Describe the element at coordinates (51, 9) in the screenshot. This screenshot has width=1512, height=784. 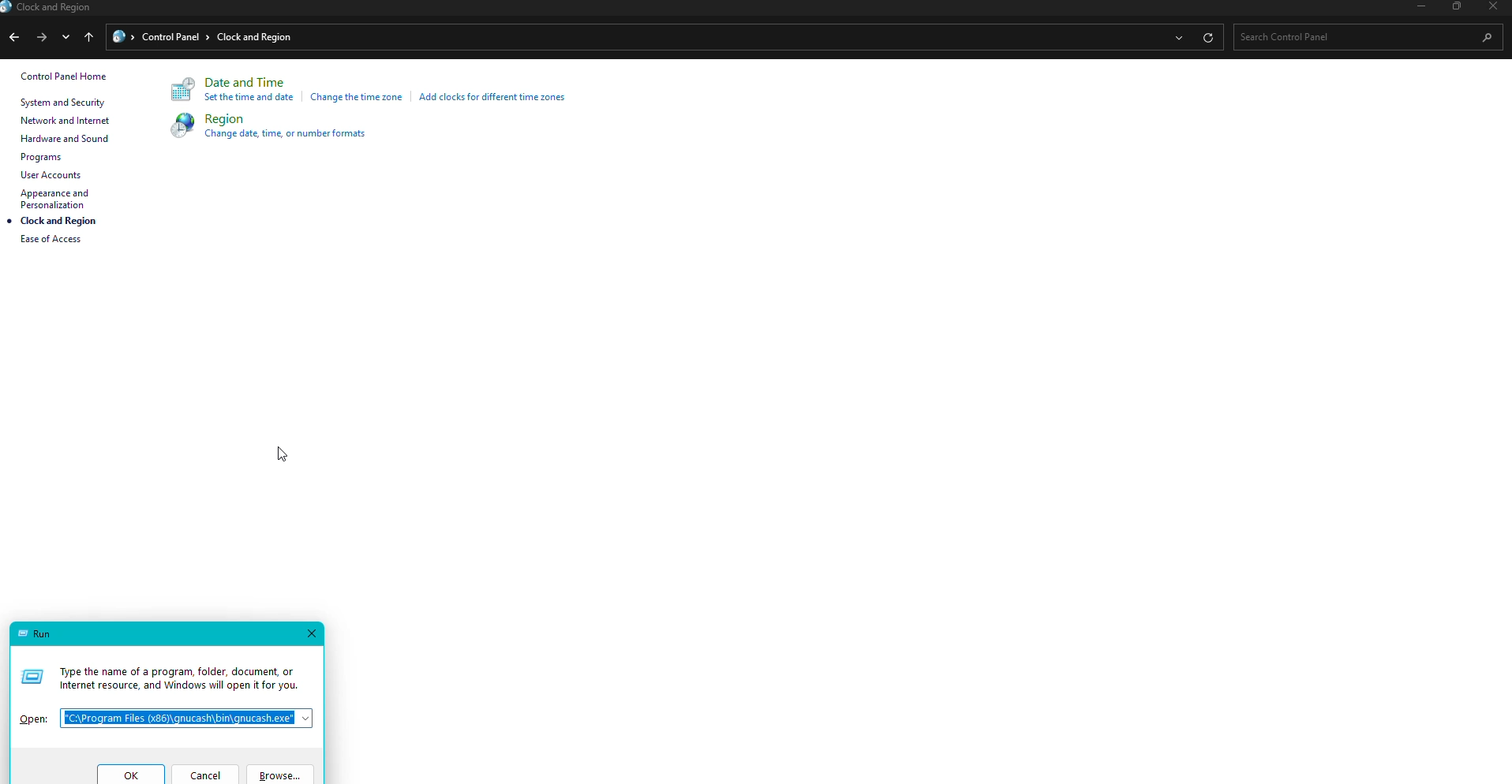
I see `Clock and region` at that location.